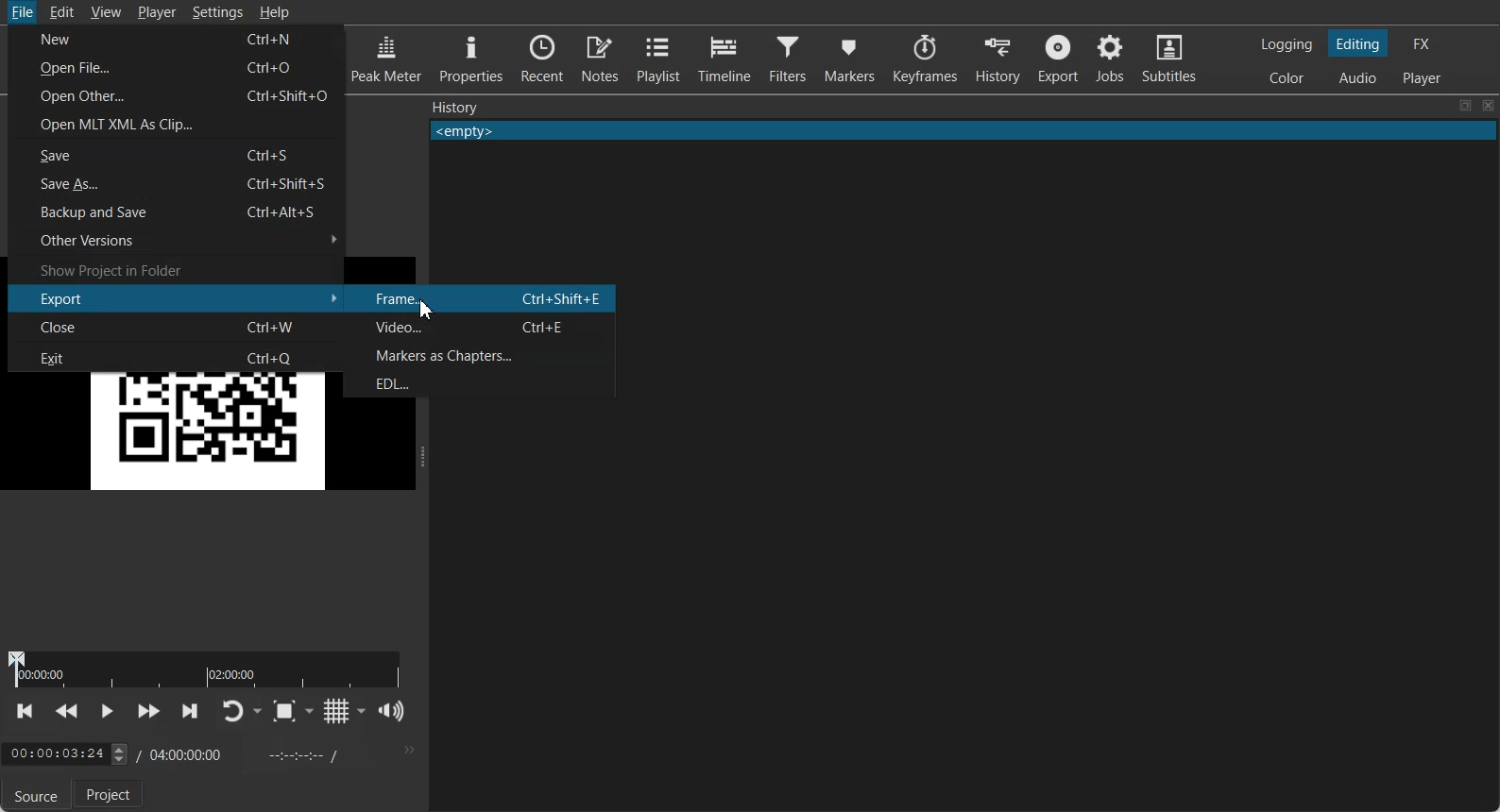 The height and width of the screenshot is (812, 1500). I want to click on Show Project in Folder, so click(176, 268).